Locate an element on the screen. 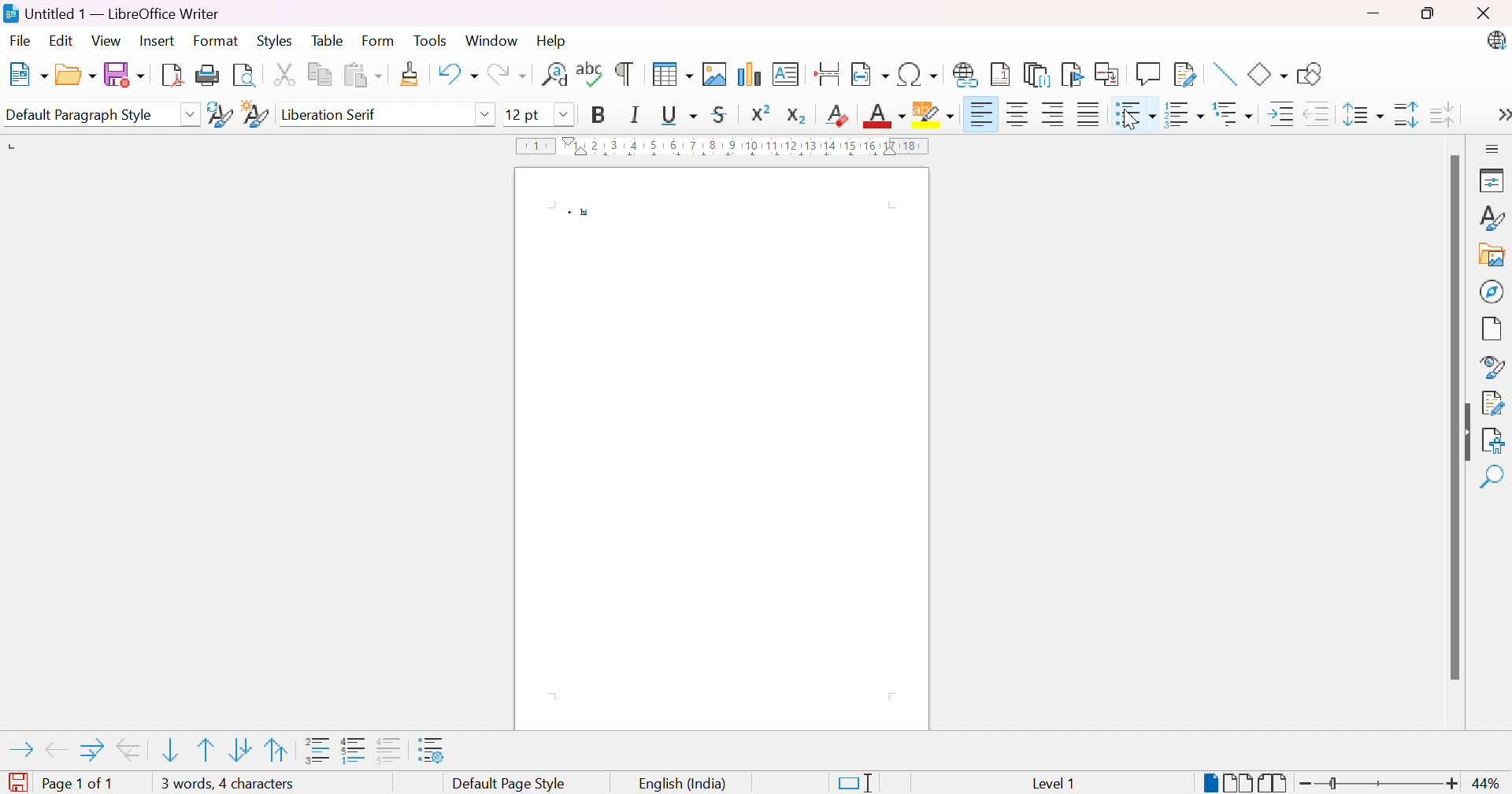 This screenshot has width=1512, height=794. Basic shapes is located at coordinates (1269, 75).